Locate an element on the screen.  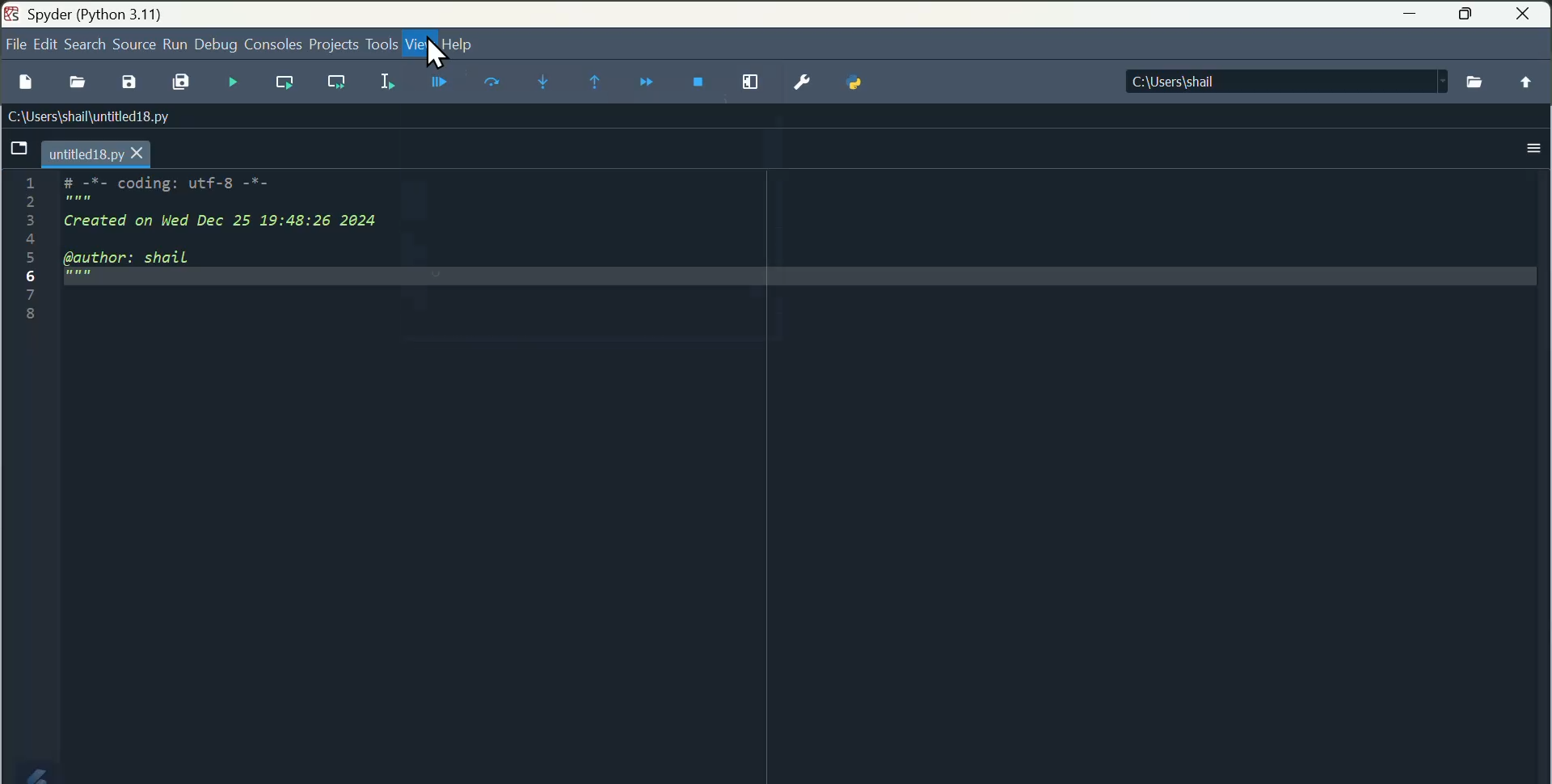
Settings is located at coordinates (796, 86).